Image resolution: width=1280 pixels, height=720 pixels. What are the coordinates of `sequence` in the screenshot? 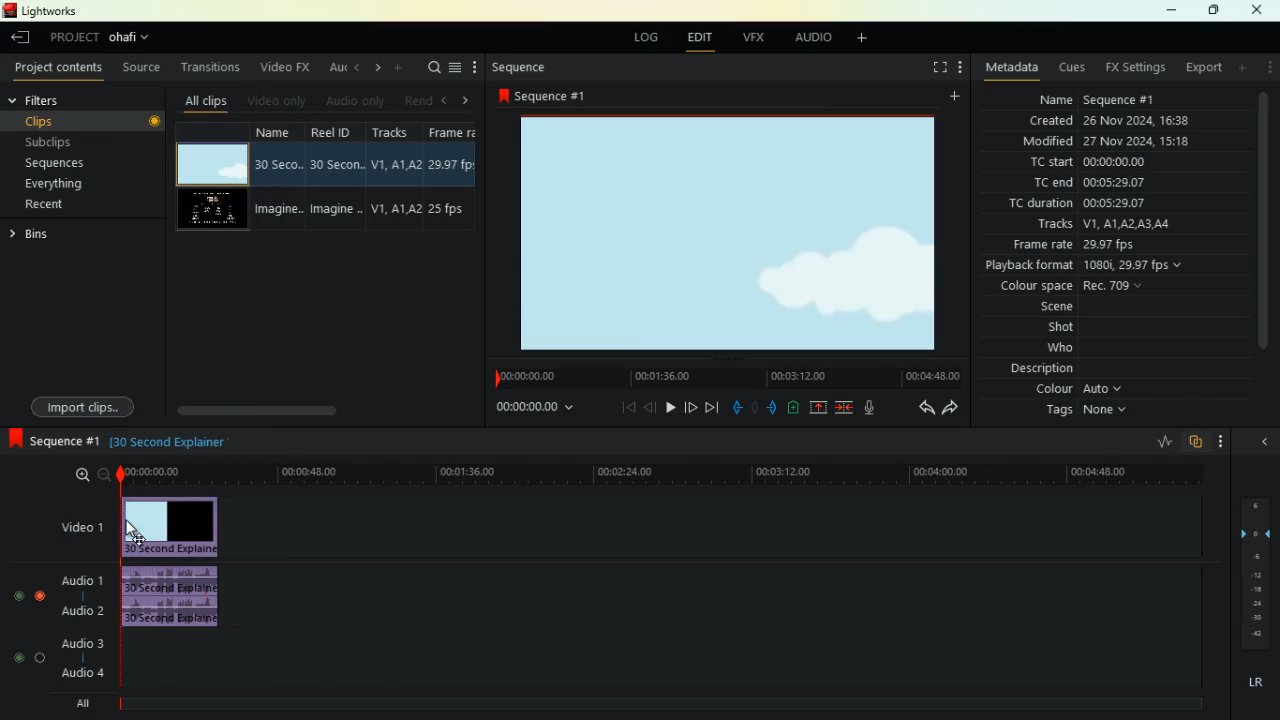 It's located at (550, 96).